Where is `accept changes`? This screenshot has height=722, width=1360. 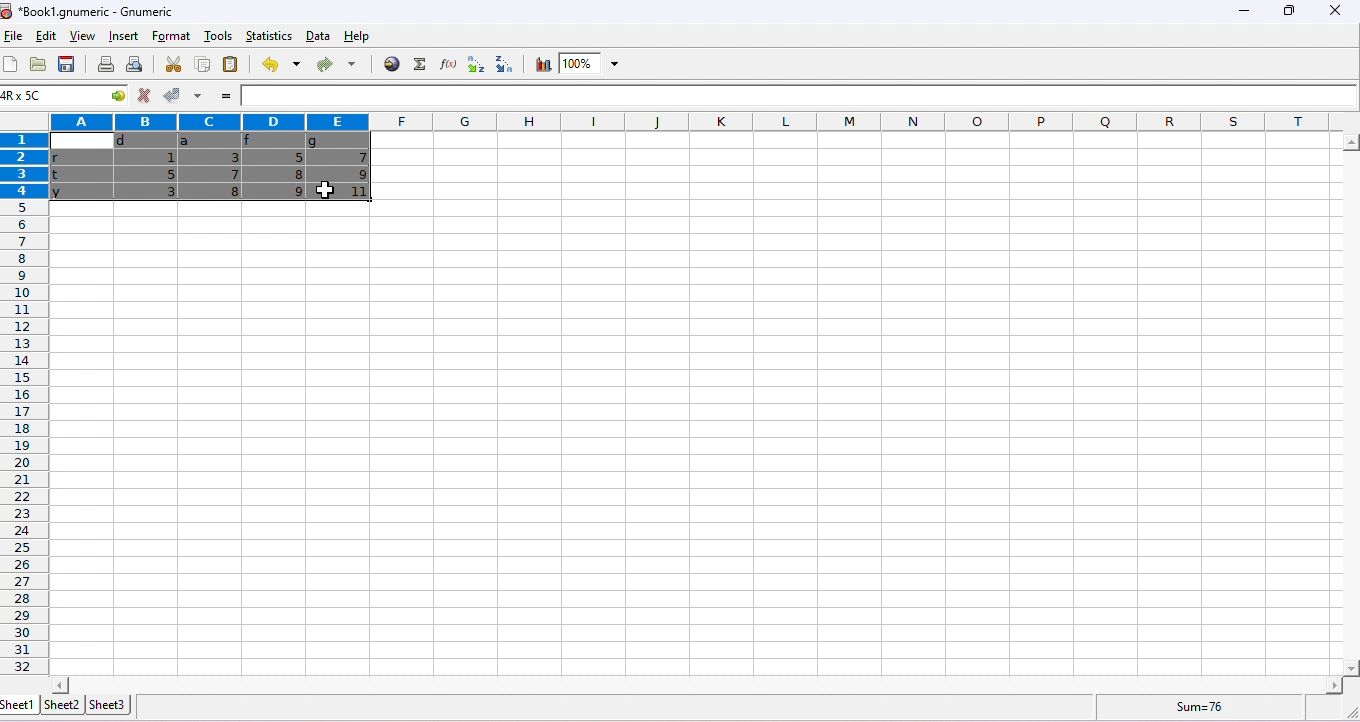 accept changes is located at coordinates (168, 94).